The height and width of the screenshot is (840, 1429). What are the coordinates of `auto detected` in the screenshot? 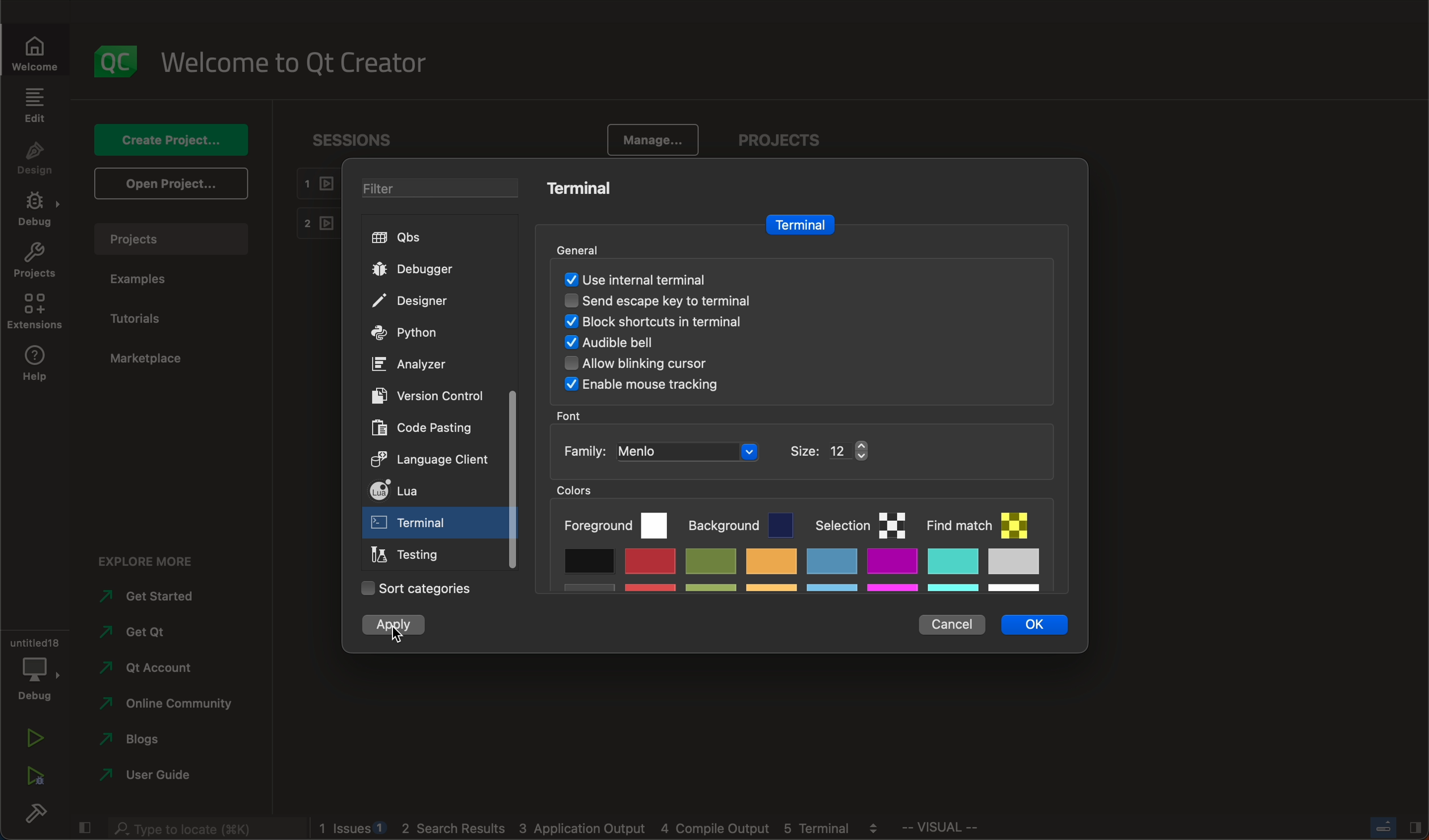 It's located at (637, 279).